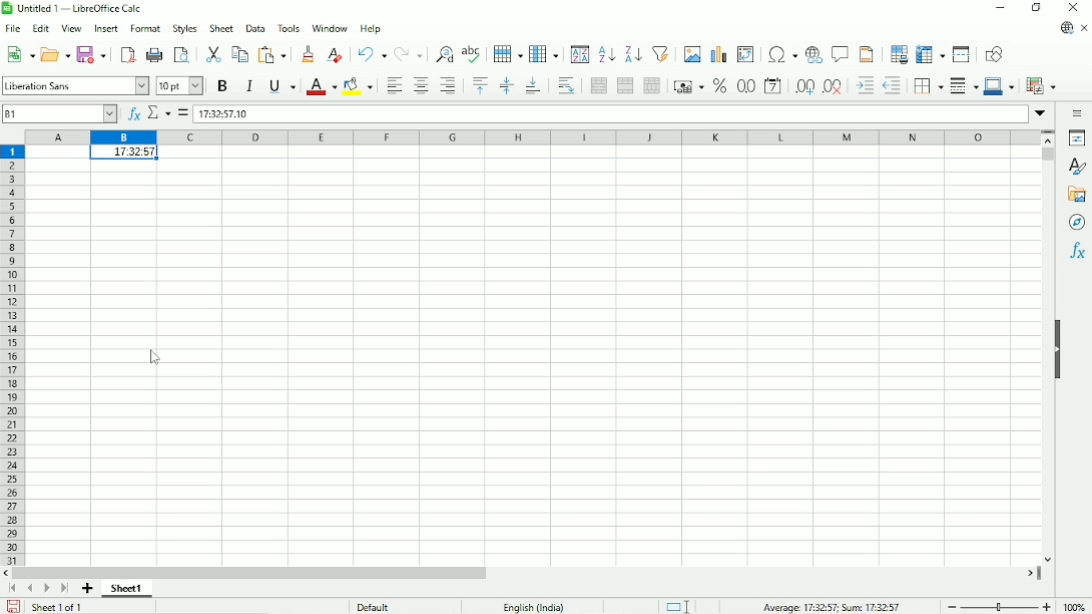 This screenshot has height=614, width=1092. What do you see at coordinates (1049, 154) in the screenshot?
I see `Vertical scrollbar` at bounding box center [1049, 154].